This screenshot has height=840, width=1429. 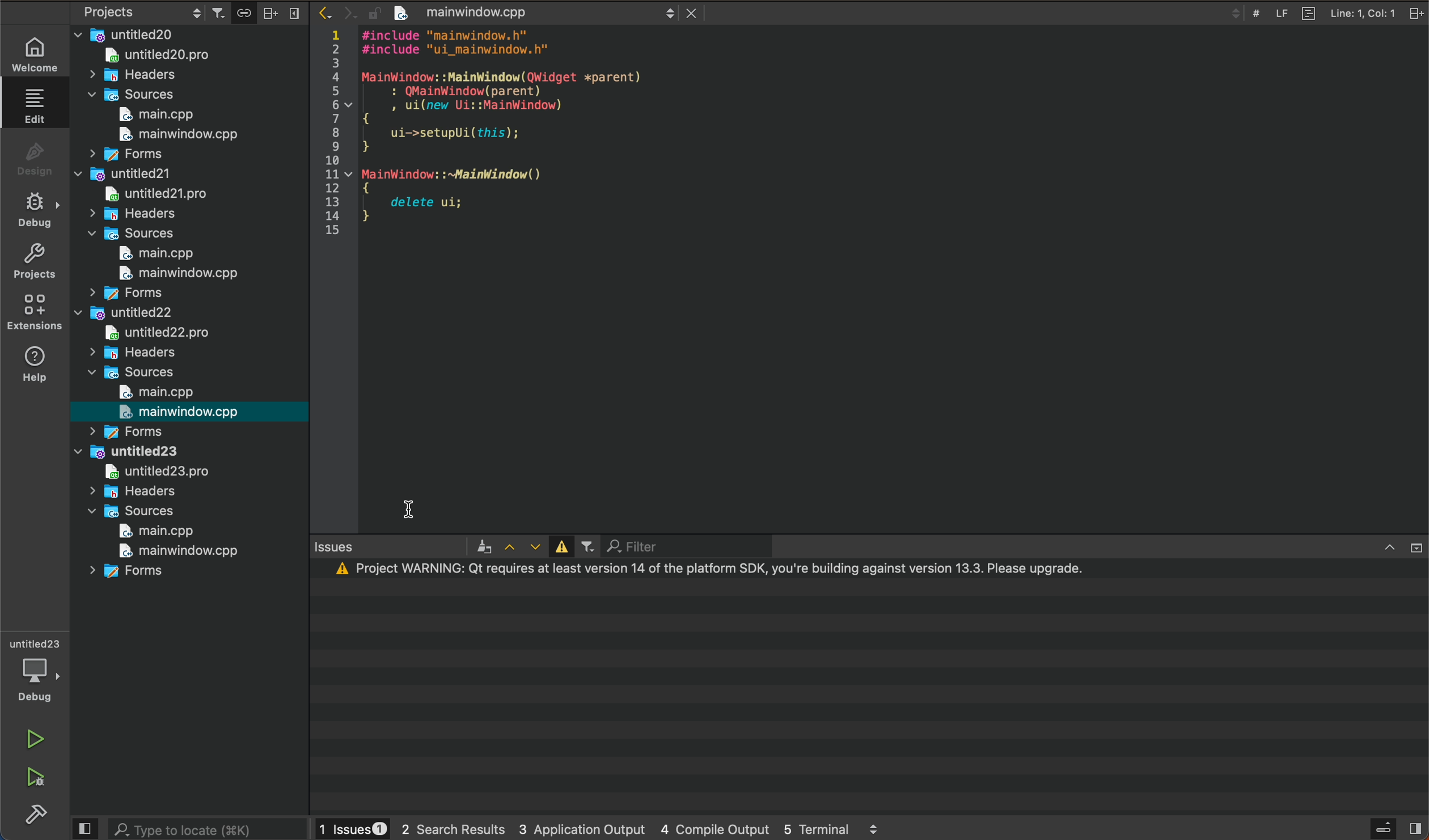 What do you see at coordinates (607, 828) in the screenshot?
I see `logs` at bounding box center [607, 828].